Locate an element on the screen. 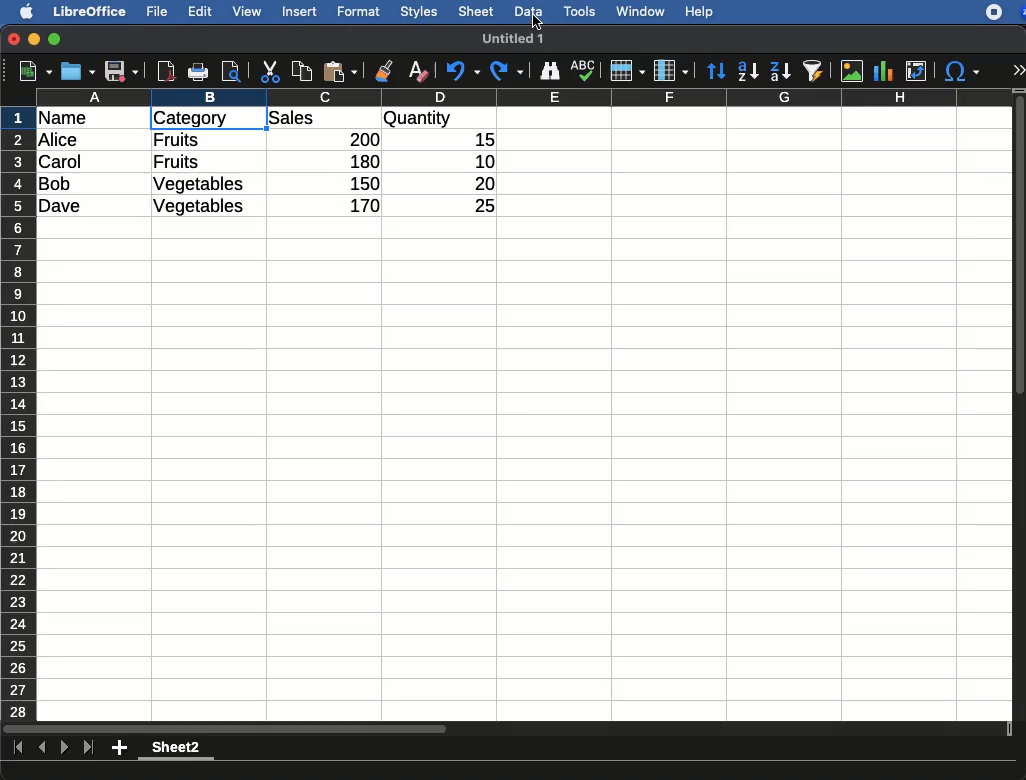  row is located at coordinates (20, 413).